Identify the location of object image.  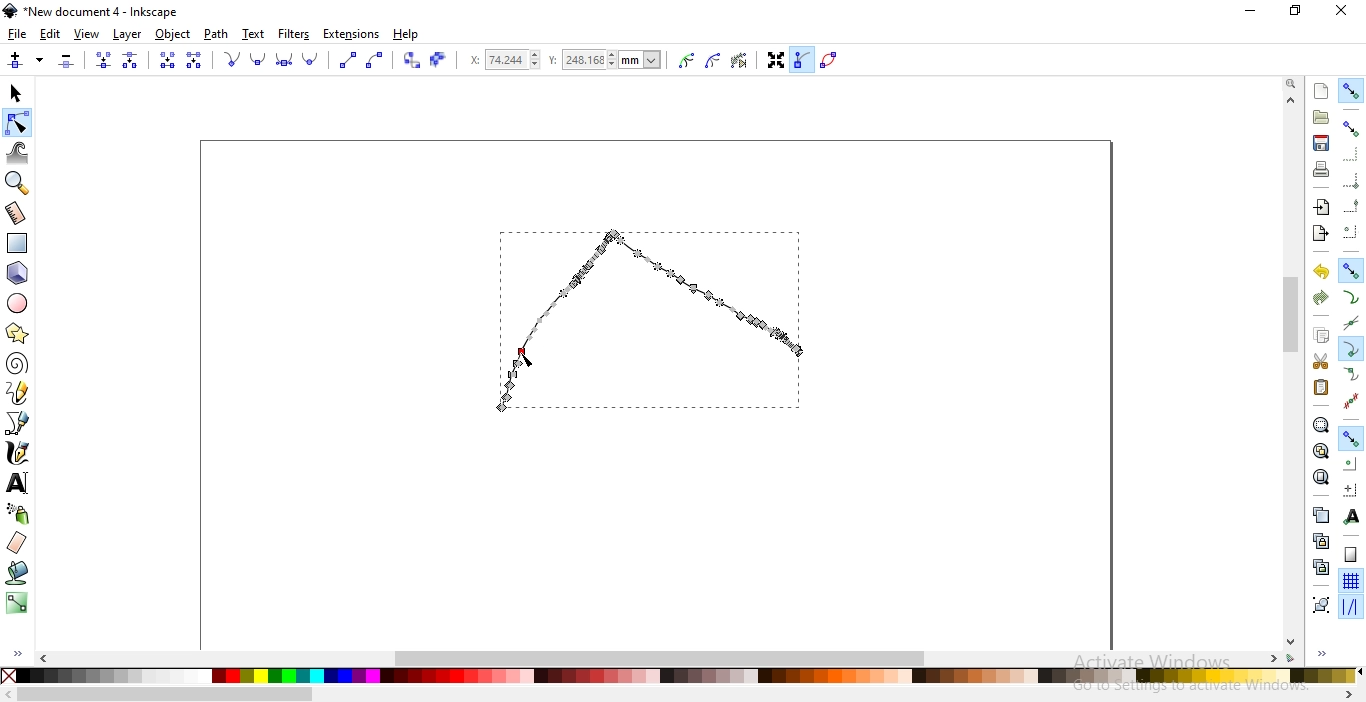
(668, 311).